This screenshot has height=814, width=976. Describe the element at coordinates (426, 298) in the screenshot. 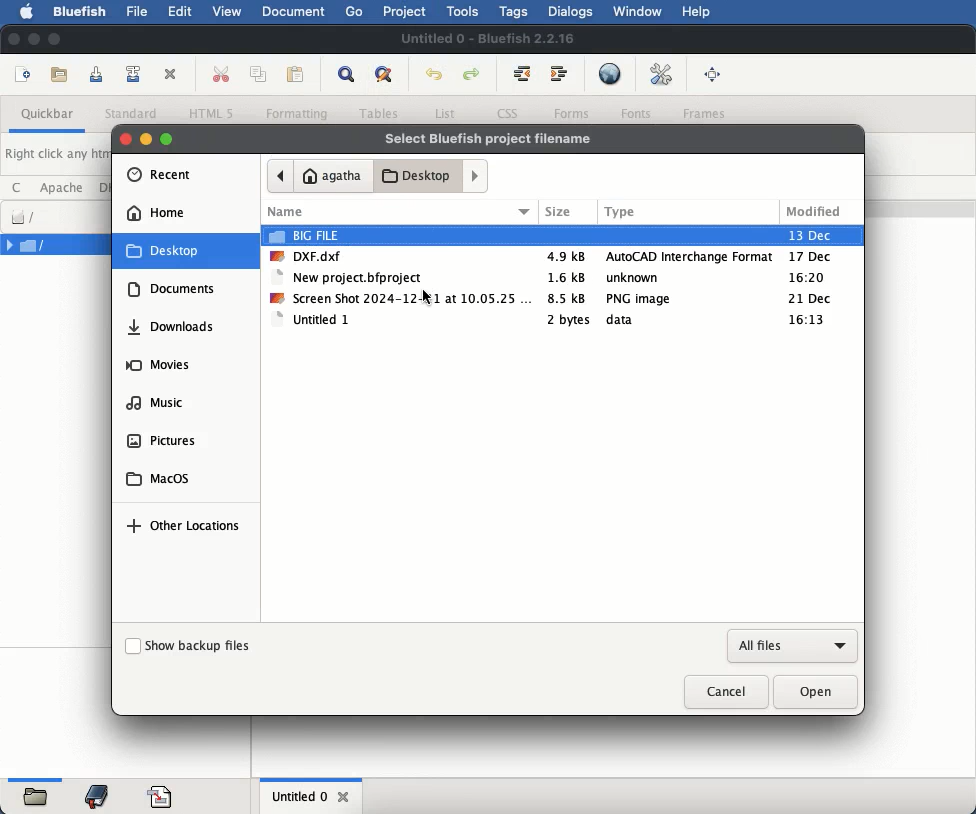

I see `cursor` at that location.